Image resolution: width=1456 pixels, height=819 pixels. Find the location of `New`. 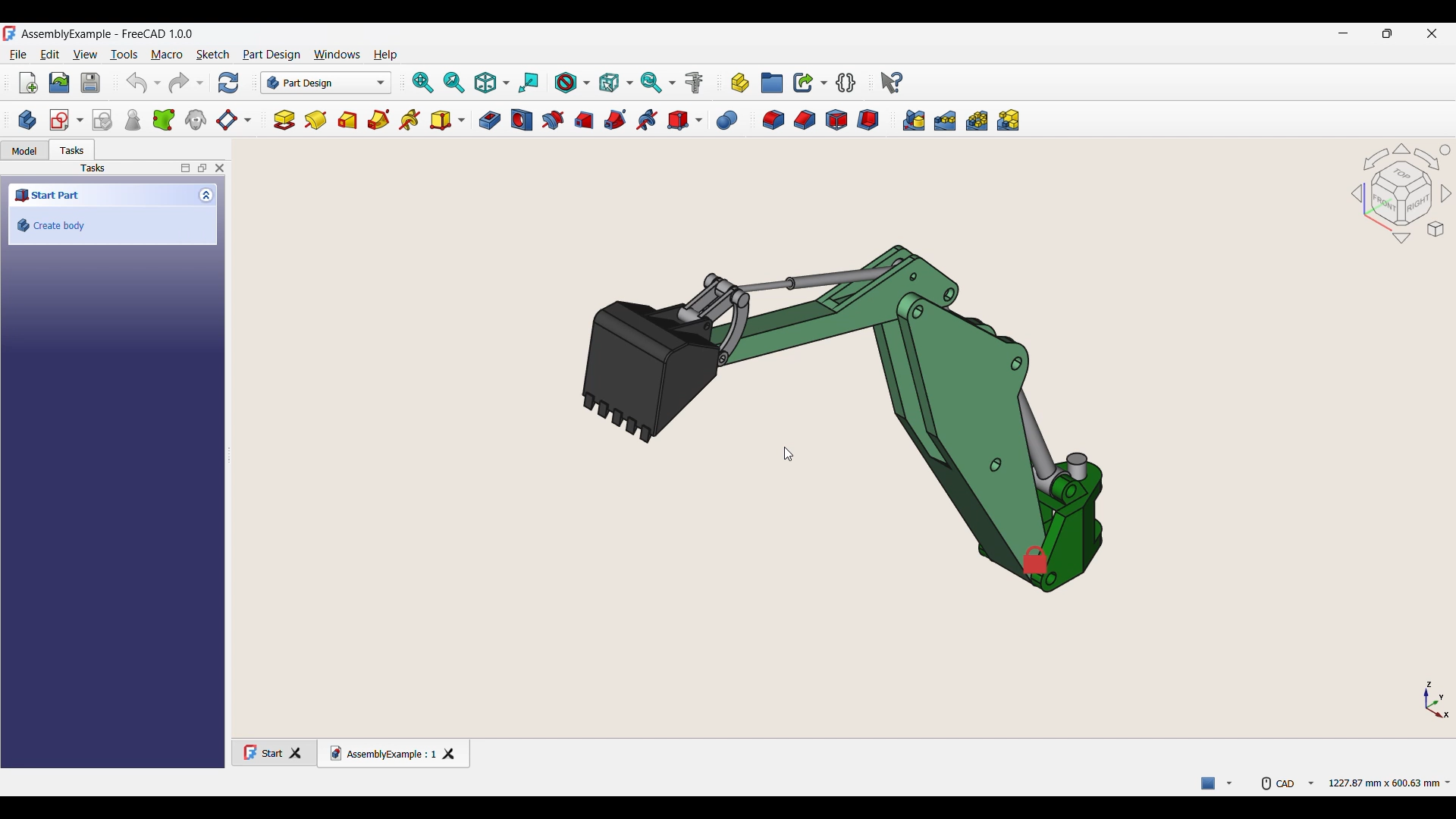

New is located at coordinates (29, 83).